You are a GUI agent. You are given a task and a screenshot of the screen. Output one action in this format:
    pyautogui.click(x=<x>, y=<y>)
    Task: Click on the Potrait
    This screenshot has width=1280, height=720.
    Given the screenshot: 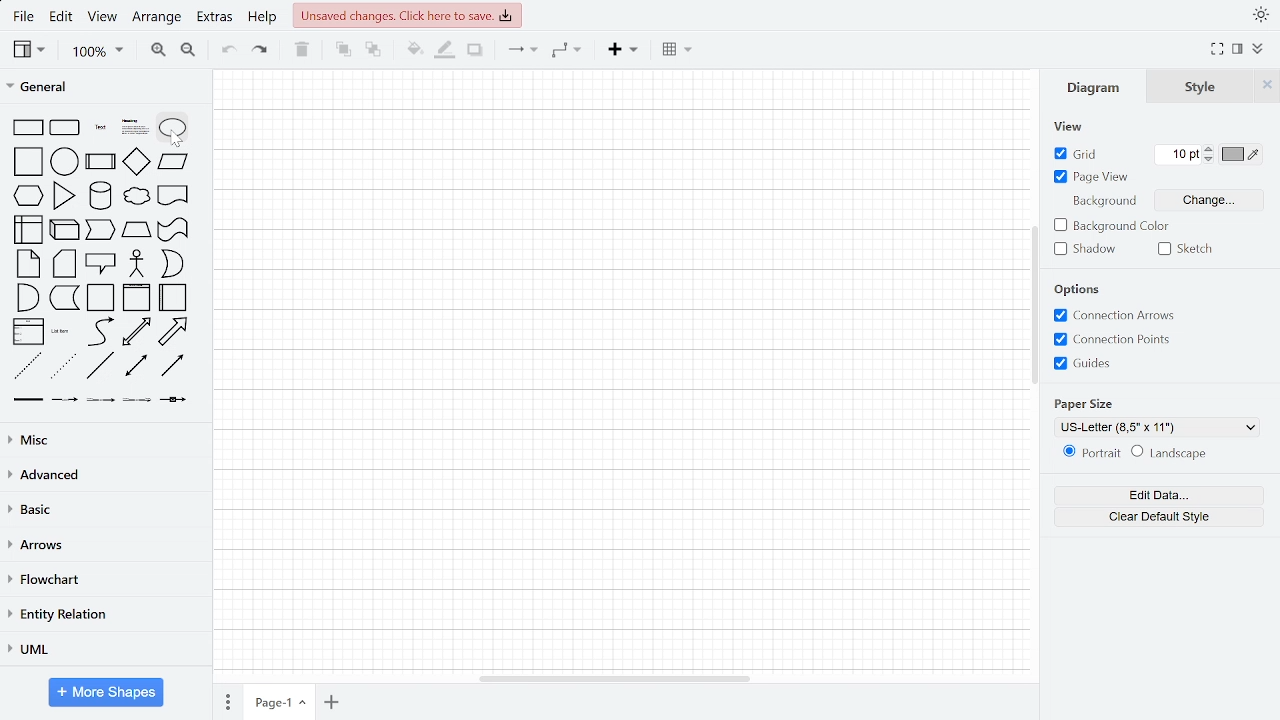 What is the action you would take?
    pyautogui.click(x=1090, y=453)
    